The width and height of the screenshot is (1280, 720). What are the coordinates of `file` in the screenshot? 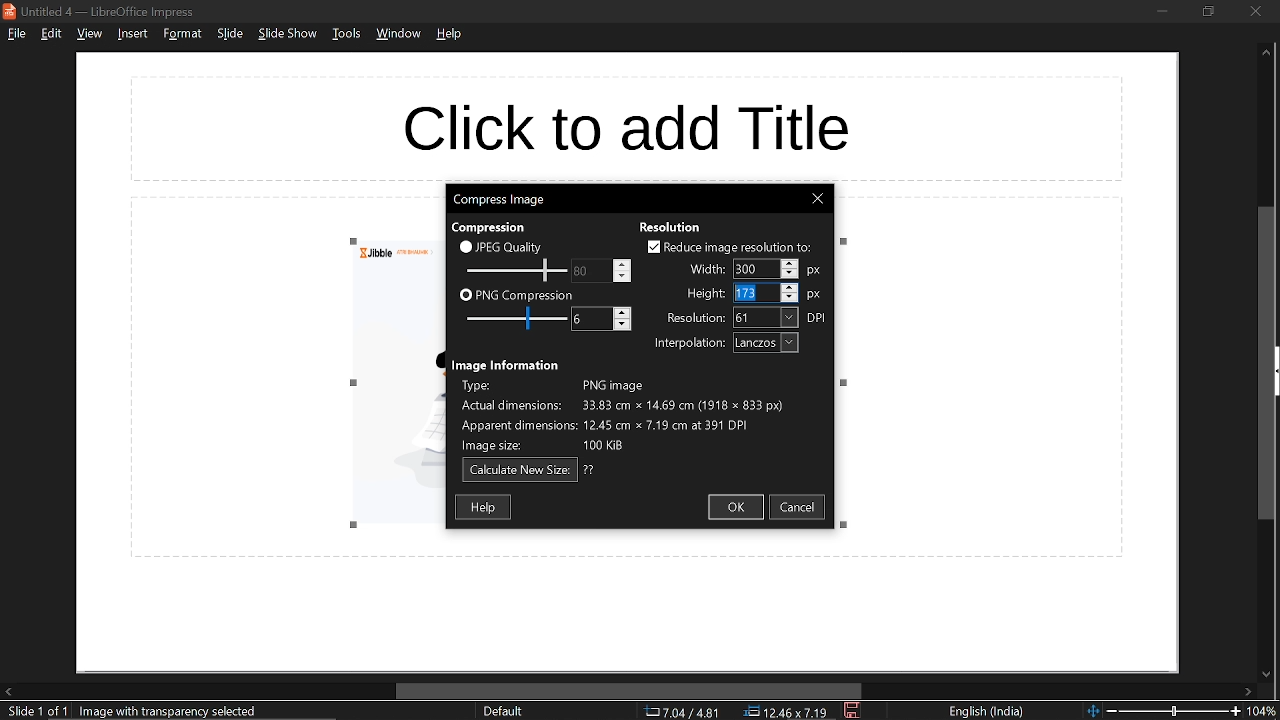 It's located at (16, 35).